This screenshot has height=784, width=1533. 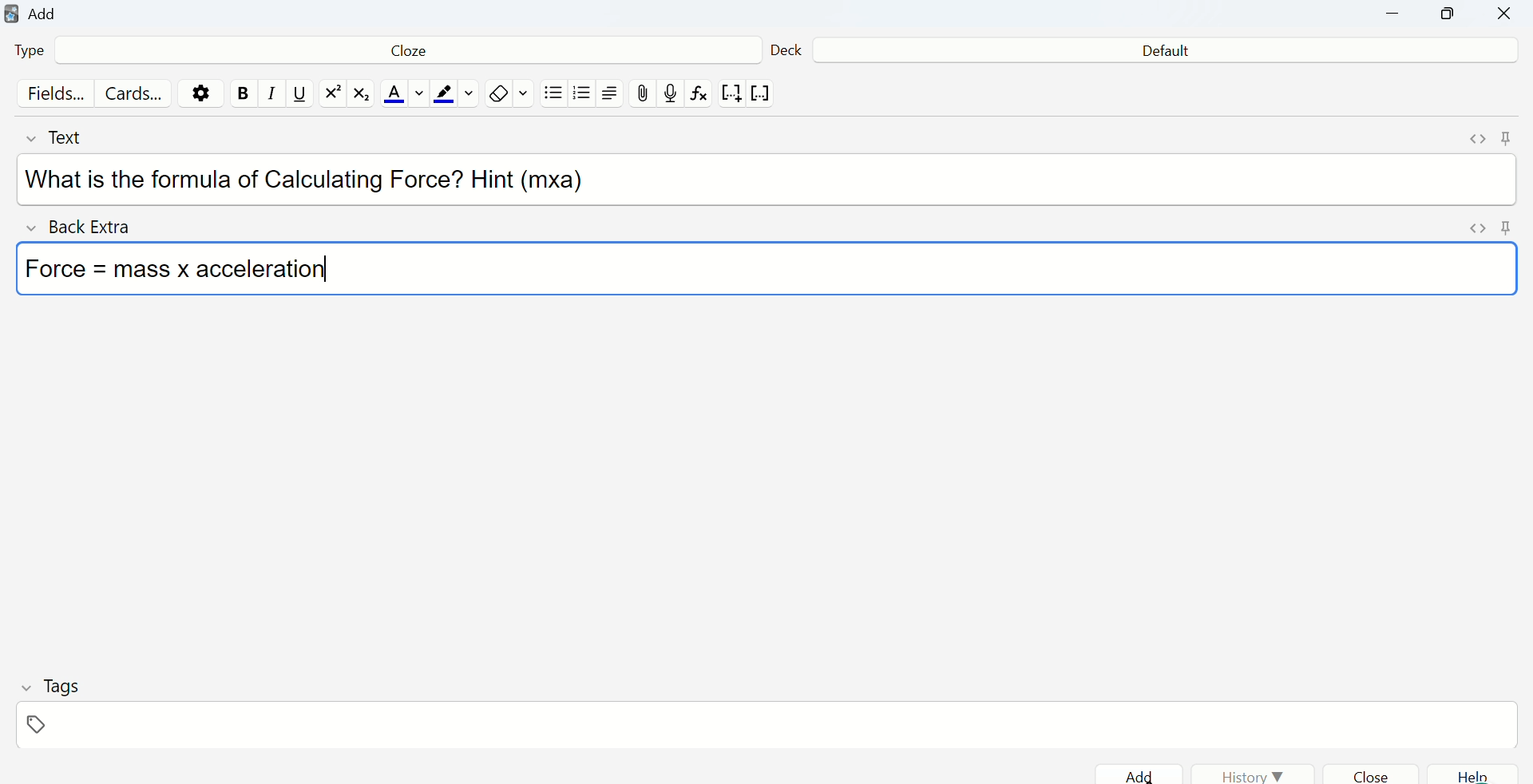 I want to click on Back Extra, so click(x=85, y=228).